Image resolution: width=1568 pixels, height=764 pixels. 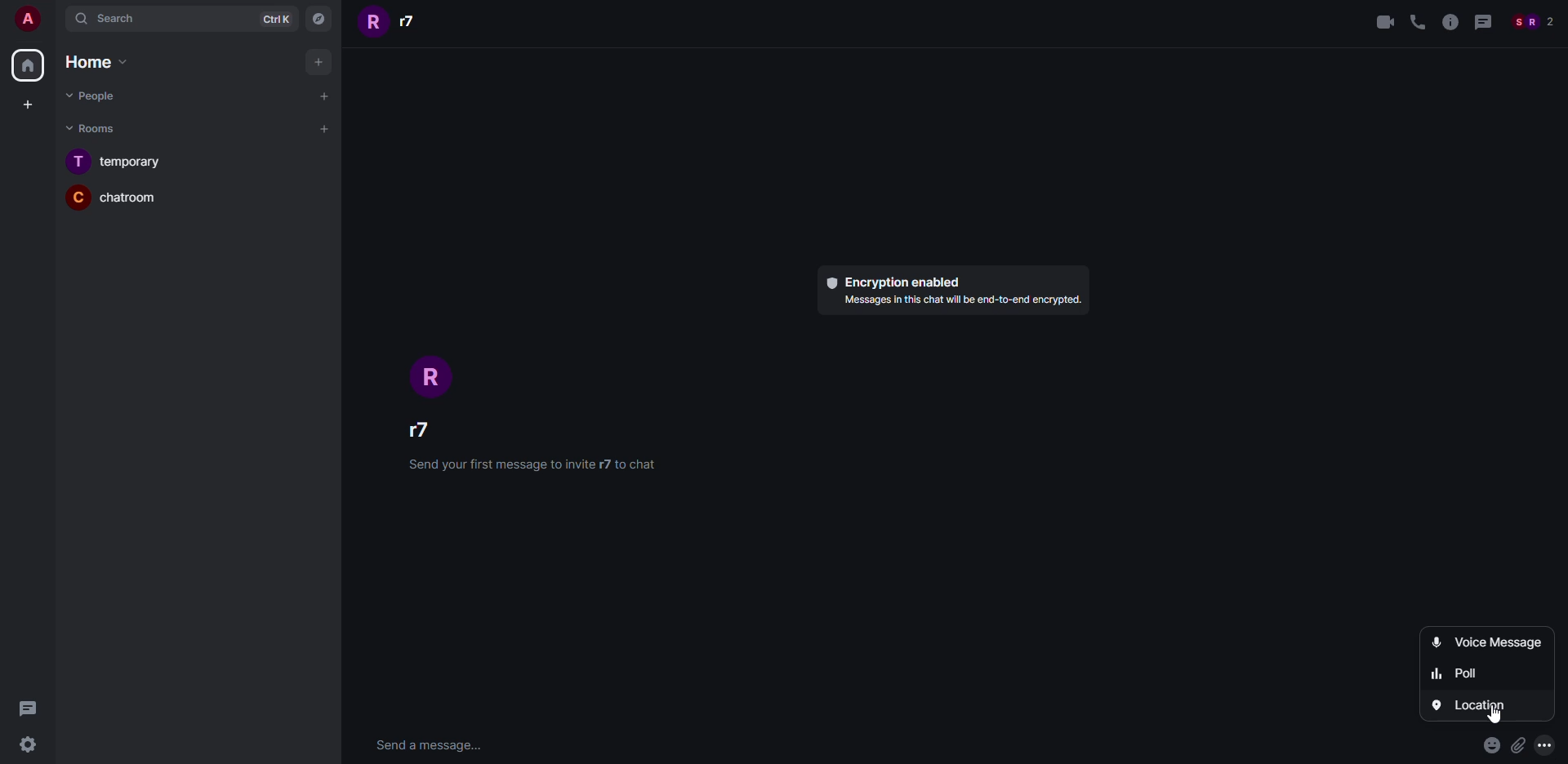 I want to click on Temporary, so click(x=115, y=160).